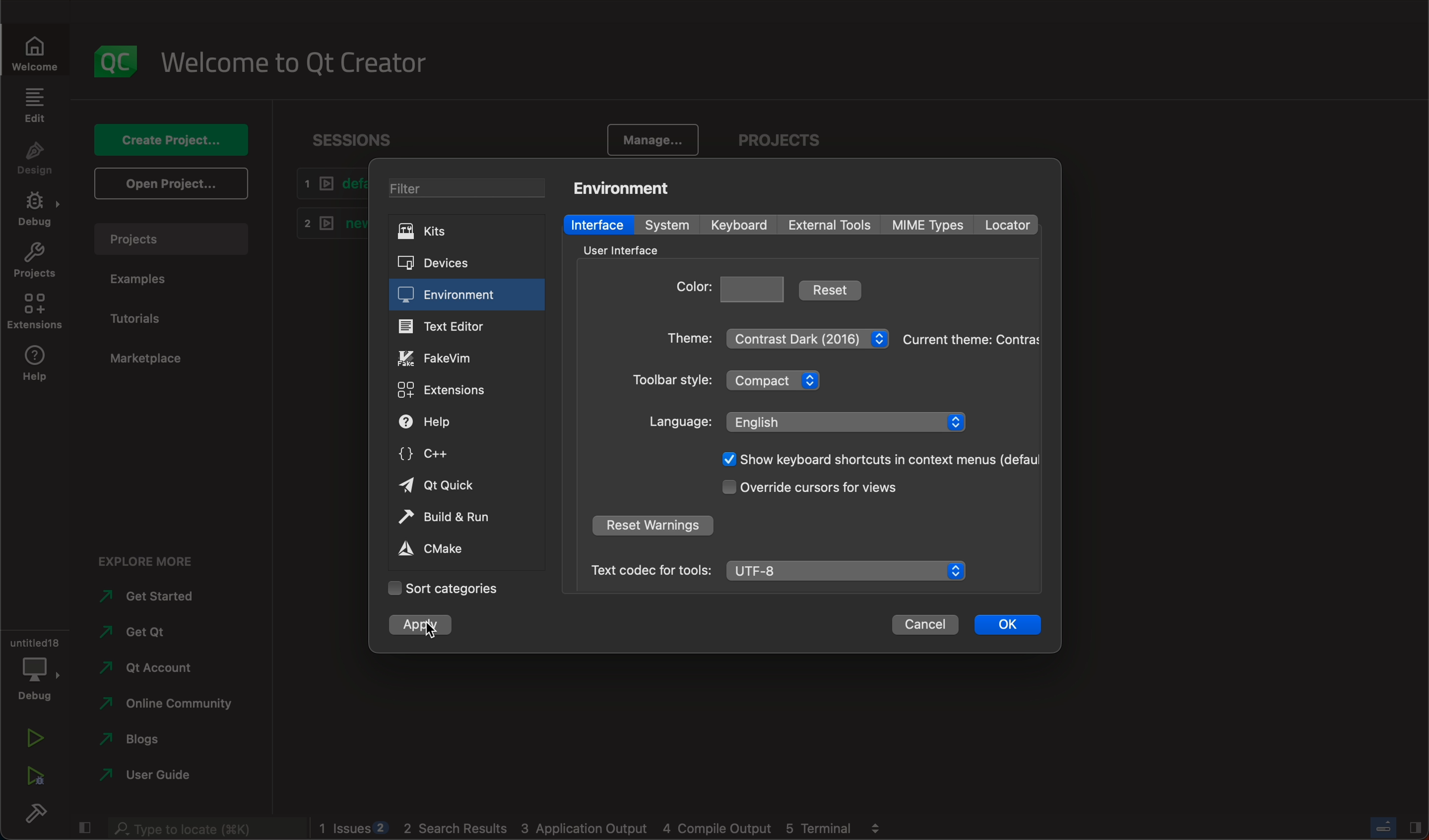 The width and height of the screenshot is (1429, 840). What do you see at coordinates (925, 627) in the screenshot?
I see `cancel` at bounding box center [925, 627].